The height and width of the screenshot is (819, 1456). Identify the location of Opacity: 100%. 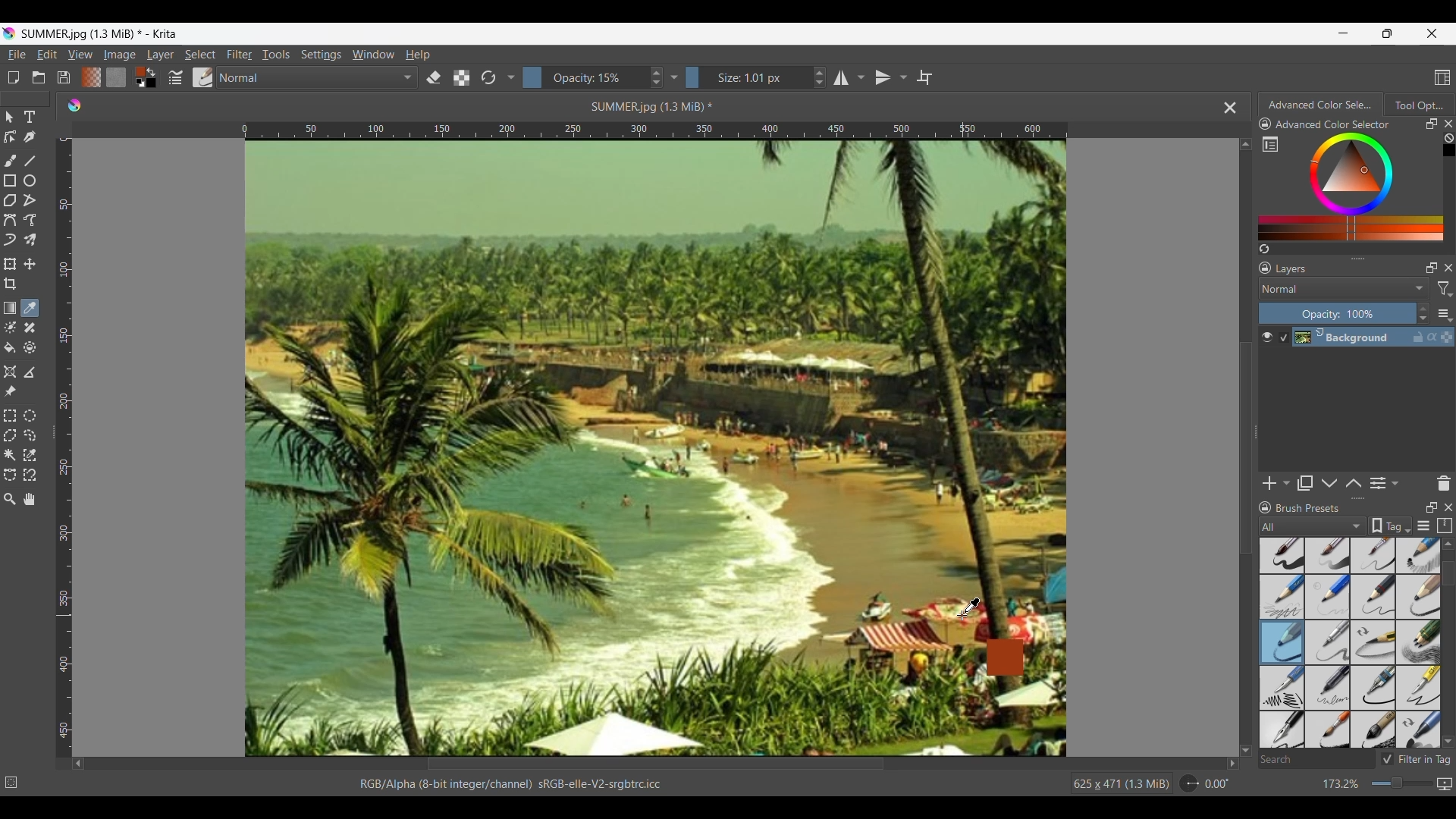
(1337, 314).